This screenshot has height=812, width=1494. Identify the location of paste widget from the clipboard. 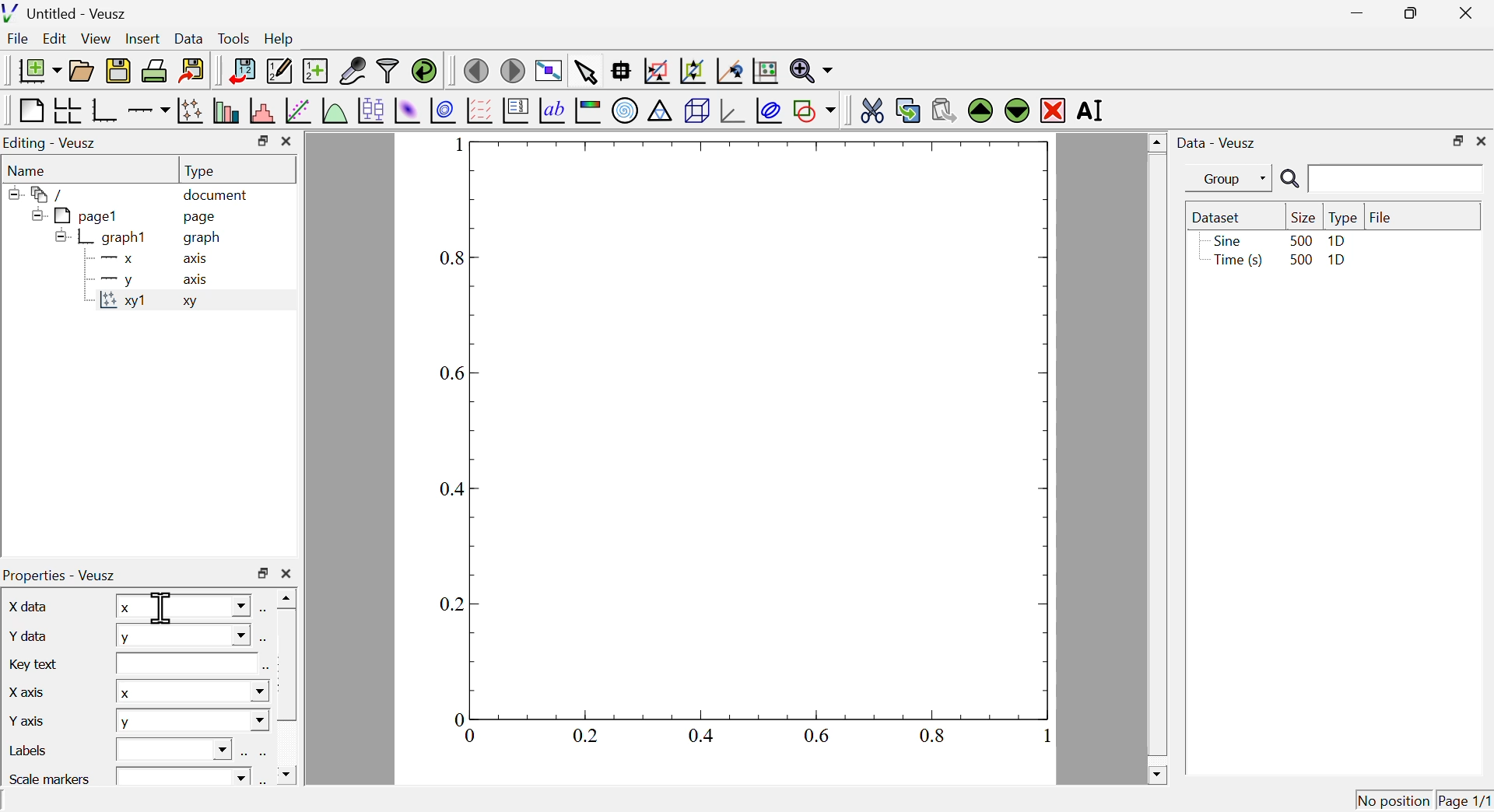
(945, 108).